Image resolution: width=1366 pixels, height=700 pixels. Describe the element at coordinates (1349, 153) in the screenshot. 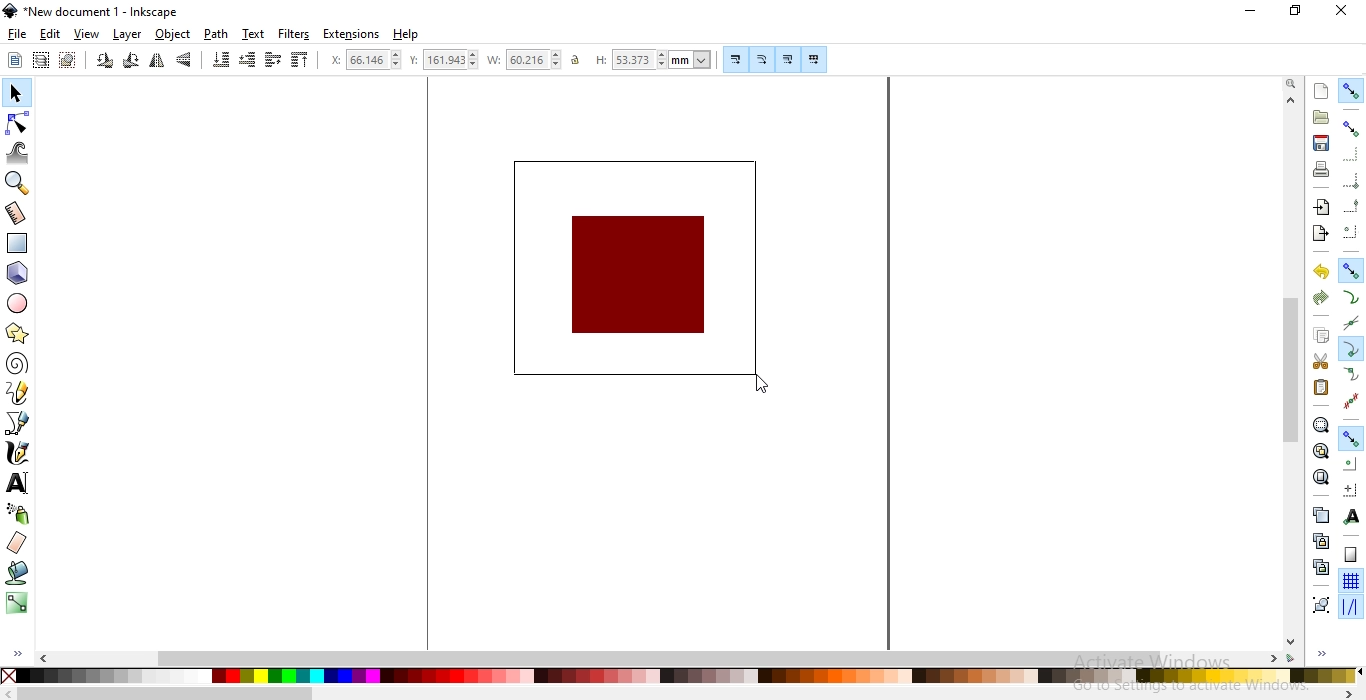

I see `snap to edges of bounding box` at that location.